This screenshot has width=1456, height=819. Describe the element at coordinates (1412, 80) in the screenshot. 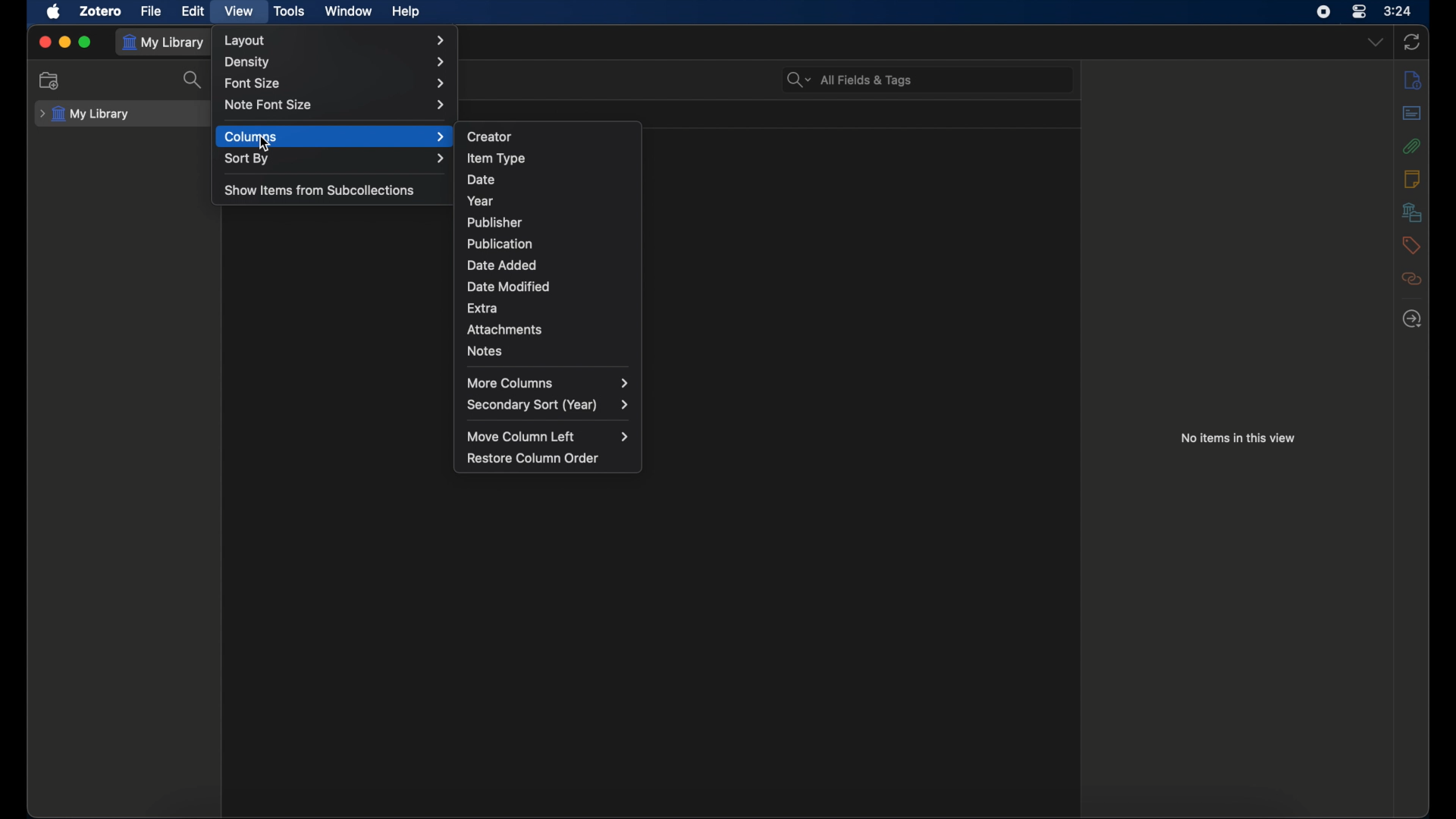

I see `` at that location.